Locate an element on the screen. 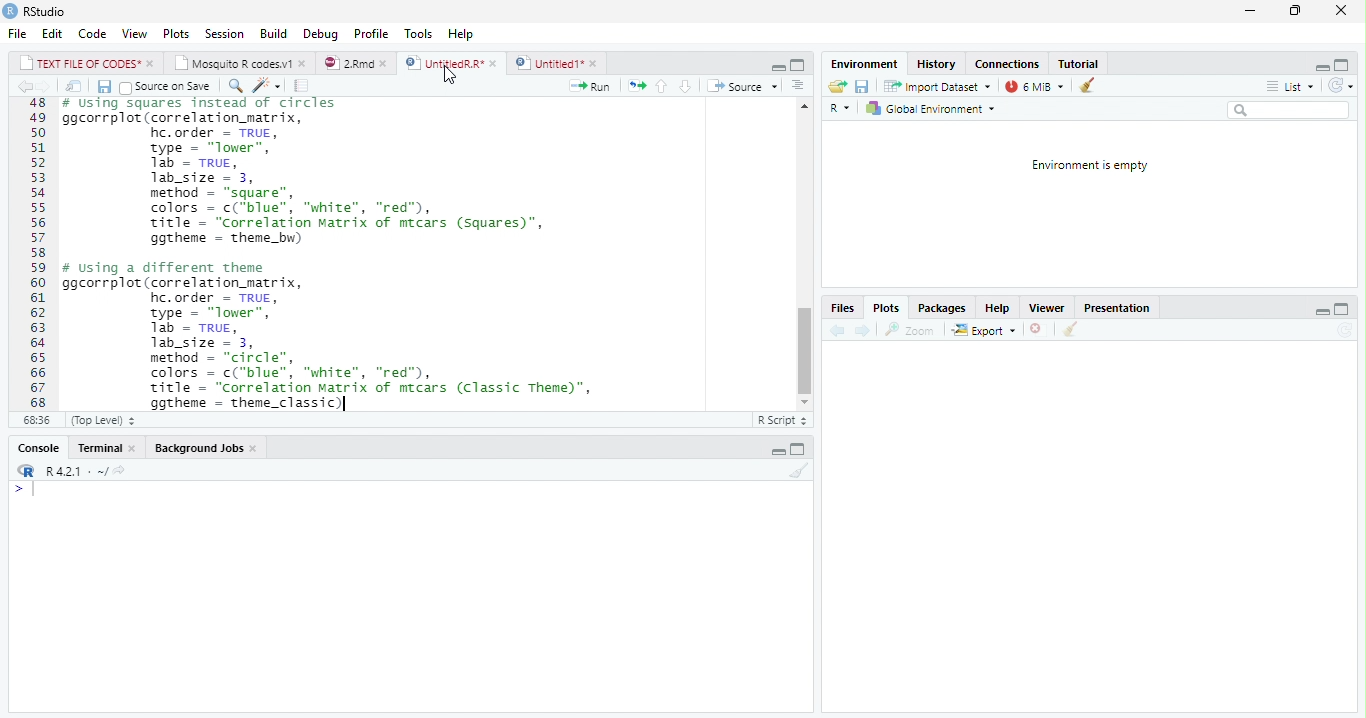  vertical scroll bar is located at coordinates (803, 258).